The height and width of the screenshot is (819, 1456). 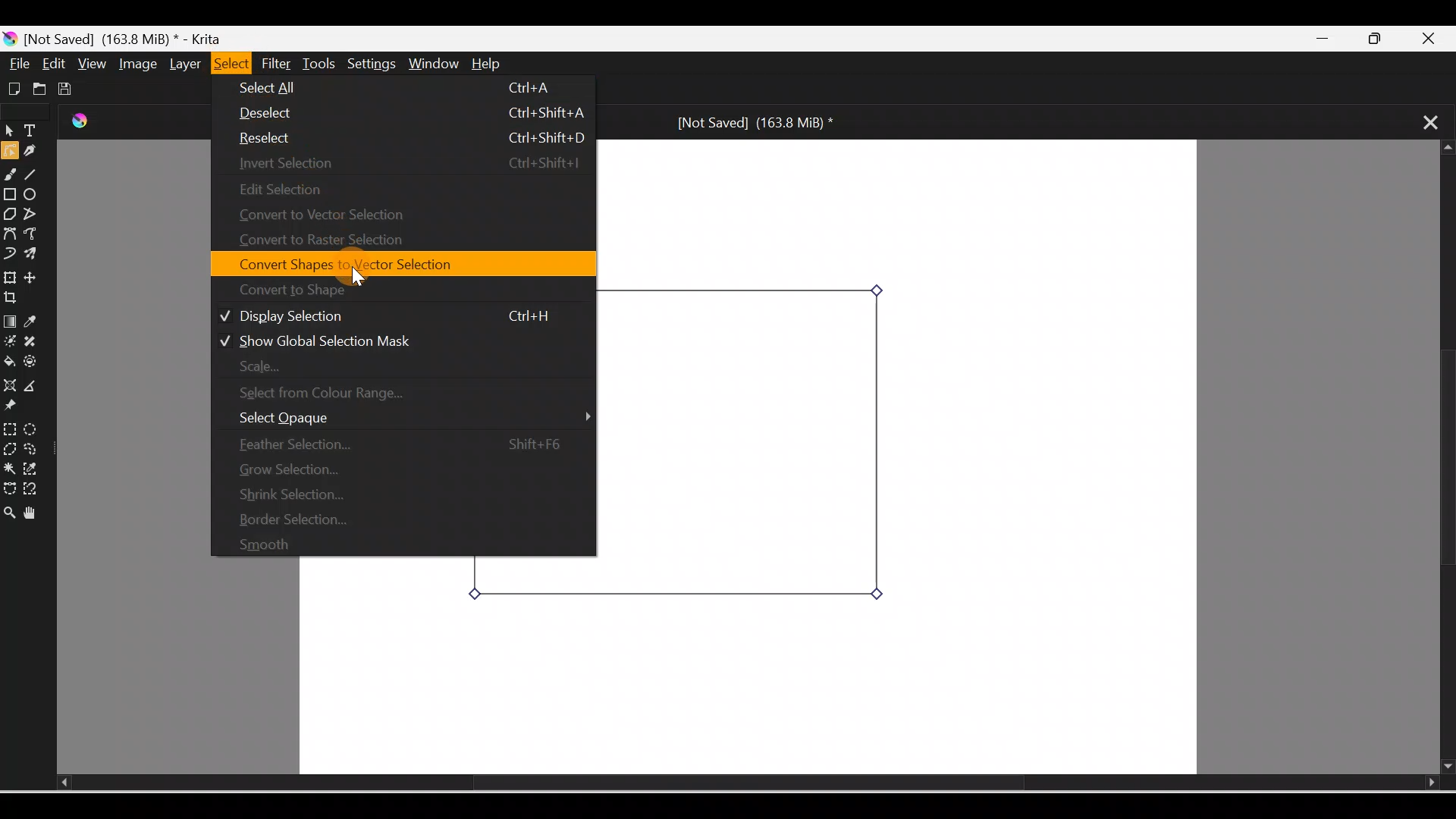 I want to click on Show global selection mask, so click(x=395, y=339).